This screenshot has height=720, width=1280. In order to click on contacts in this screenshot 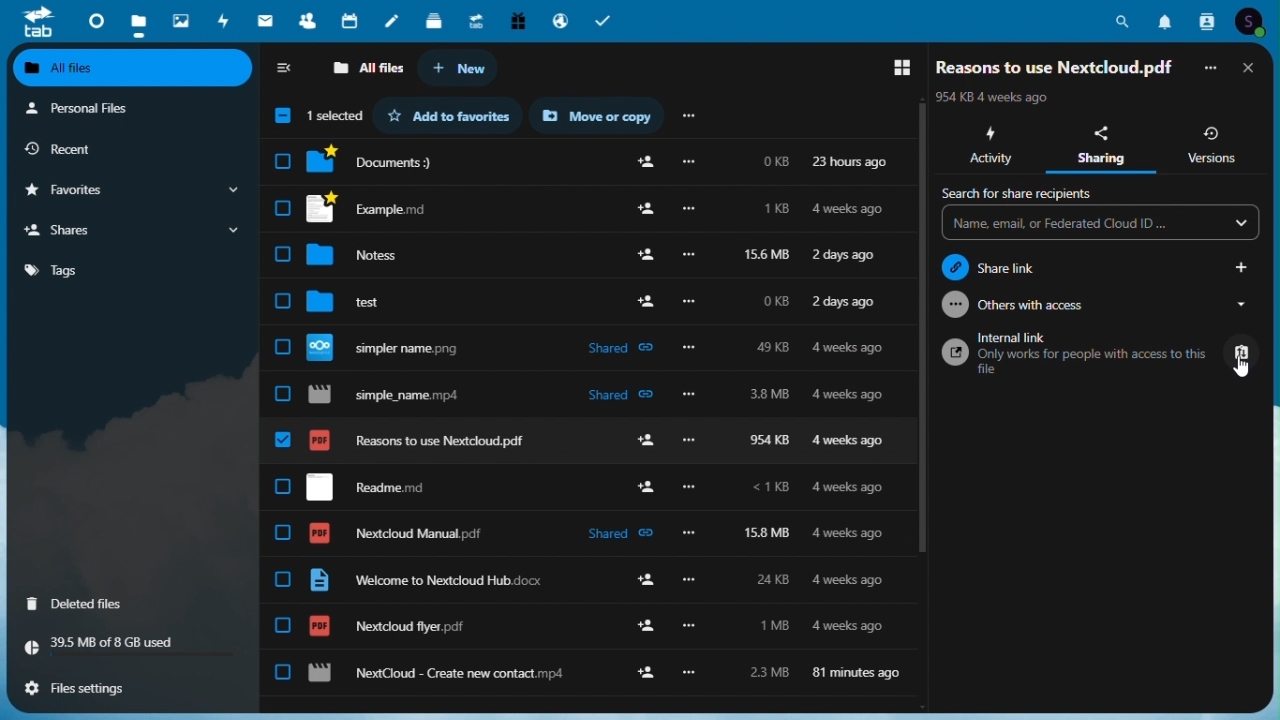, I will do `click(1205, 20)`.